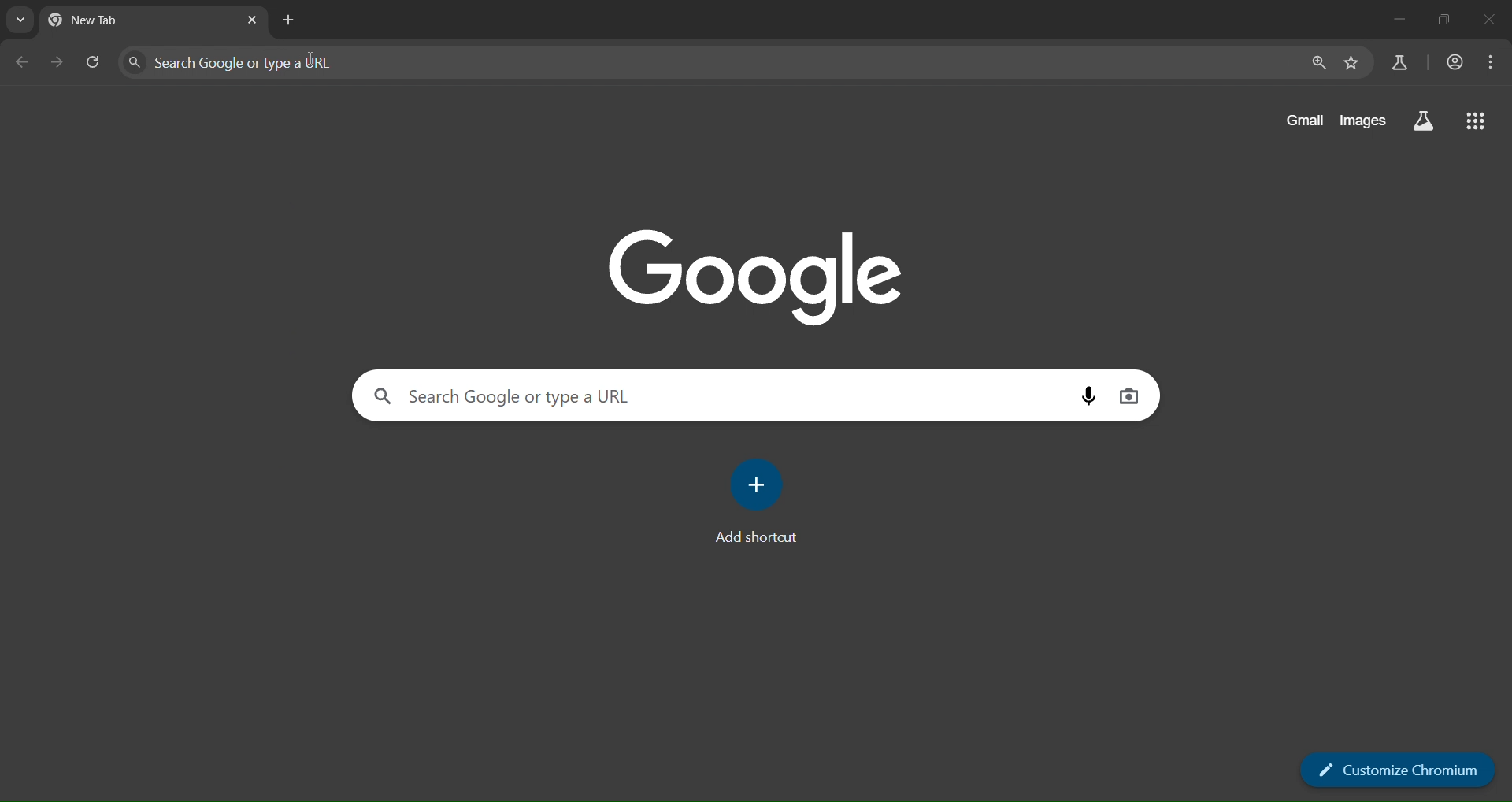  What do you see at coordinates (1315, 62) in the screenshot?
I see `zoom` at bounding box center [1315, 62].